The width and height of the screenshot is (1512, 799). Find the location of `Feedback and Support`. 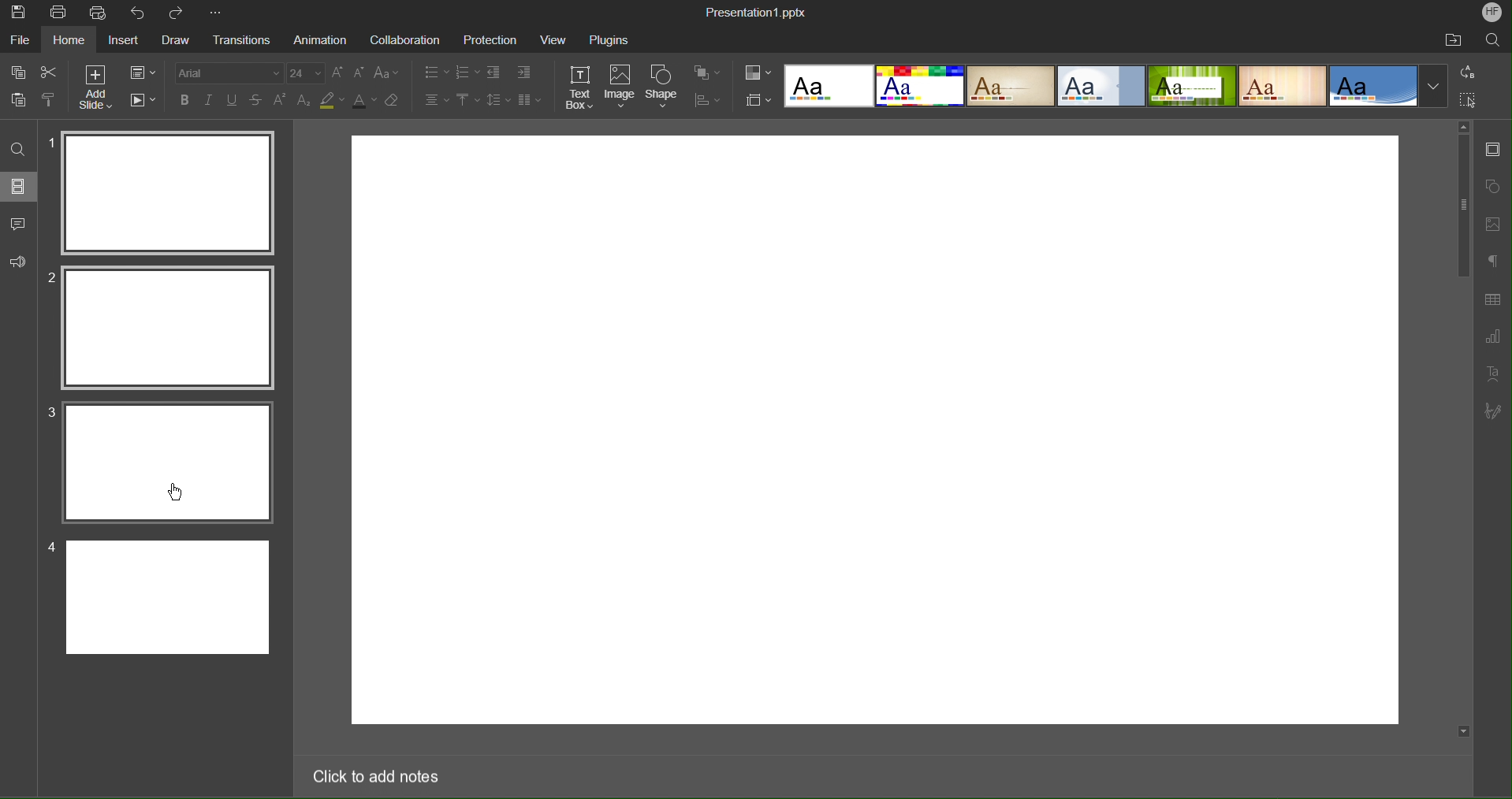

Feedback and Support is located at coordinates (17, 258).